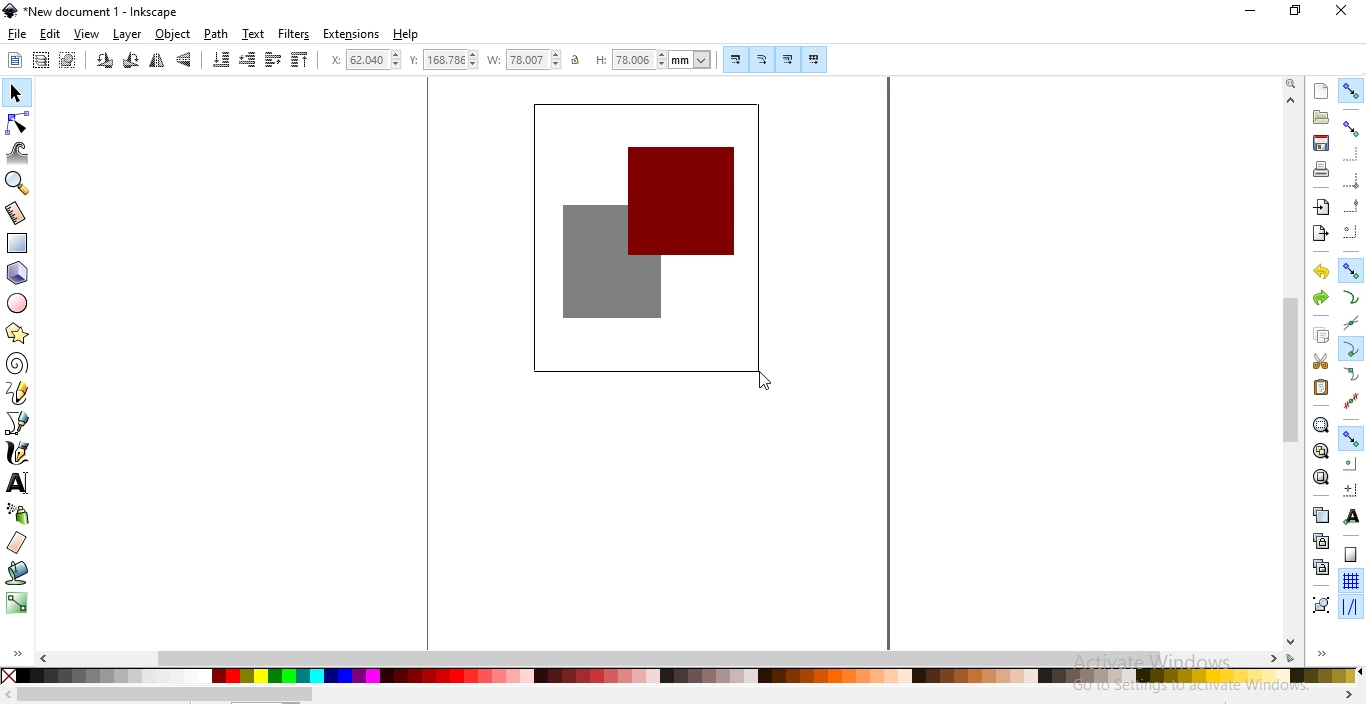  What do you see at coordinates (16, 59) in the screenshot?
I see `select all objects or nodes` at bounding box center [16, 59].